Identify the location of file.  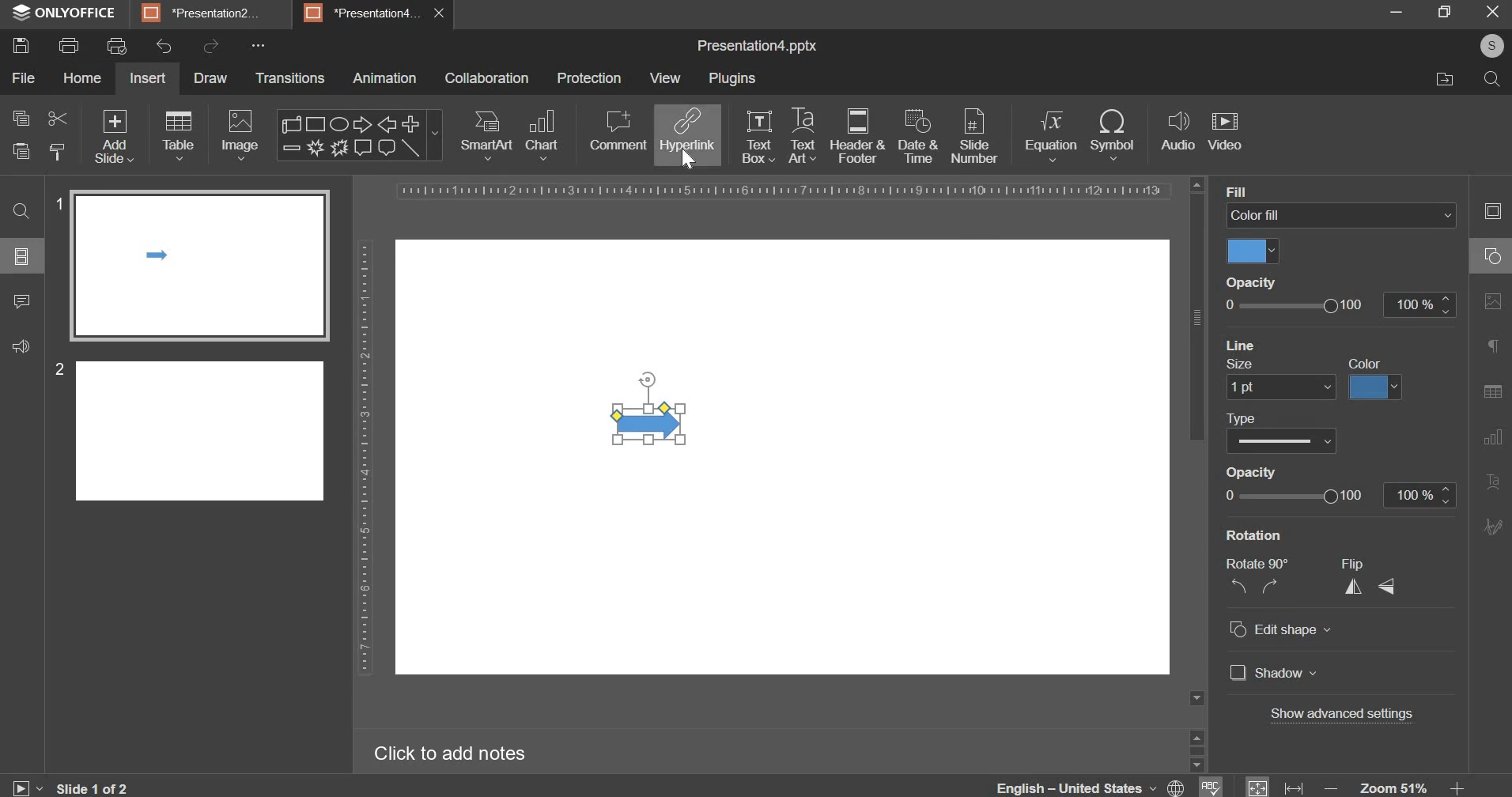
(25, 78).